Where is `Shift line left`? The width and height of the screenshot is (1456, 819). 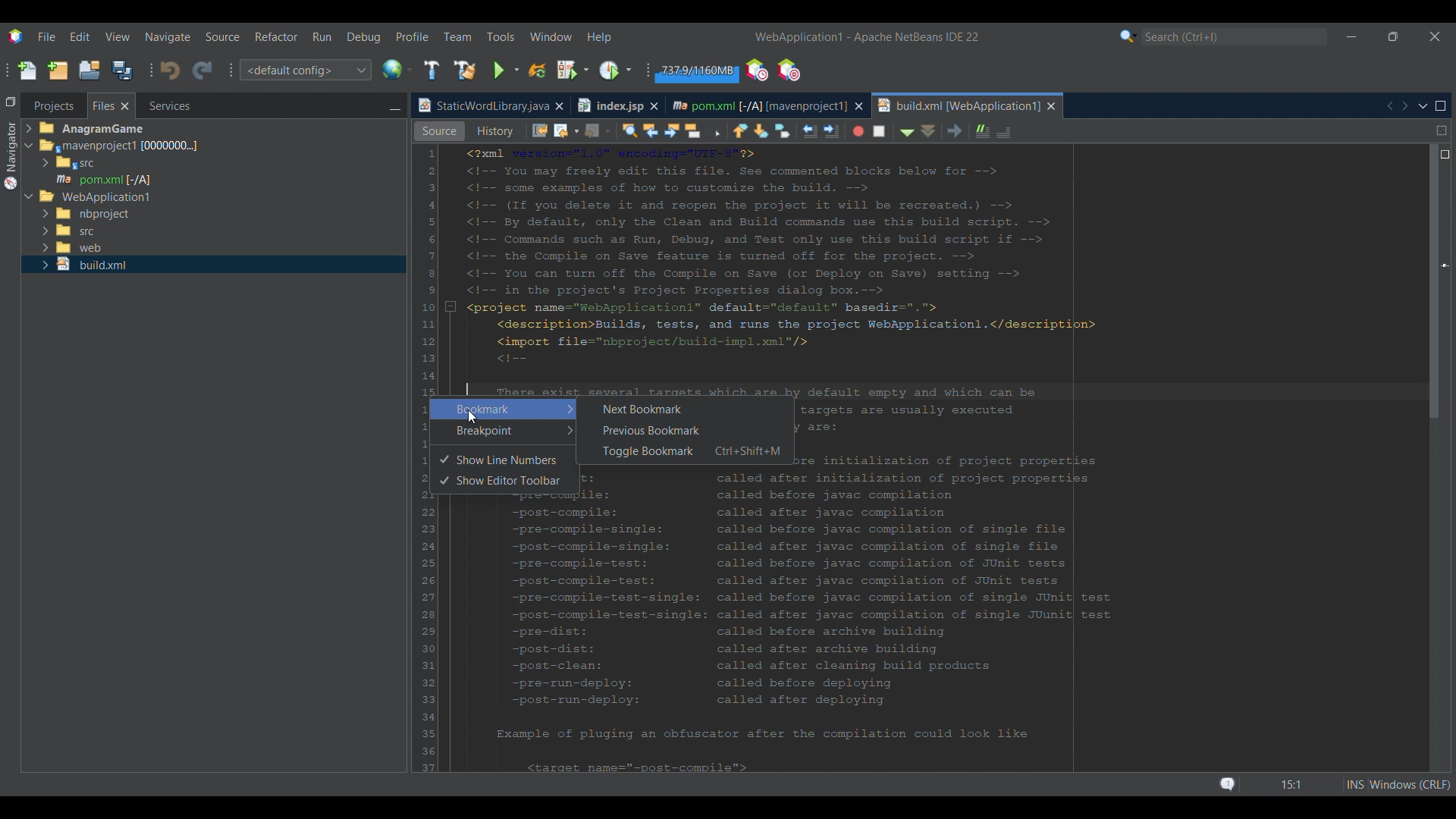 Shift line left is located at coordinates (944, 132).